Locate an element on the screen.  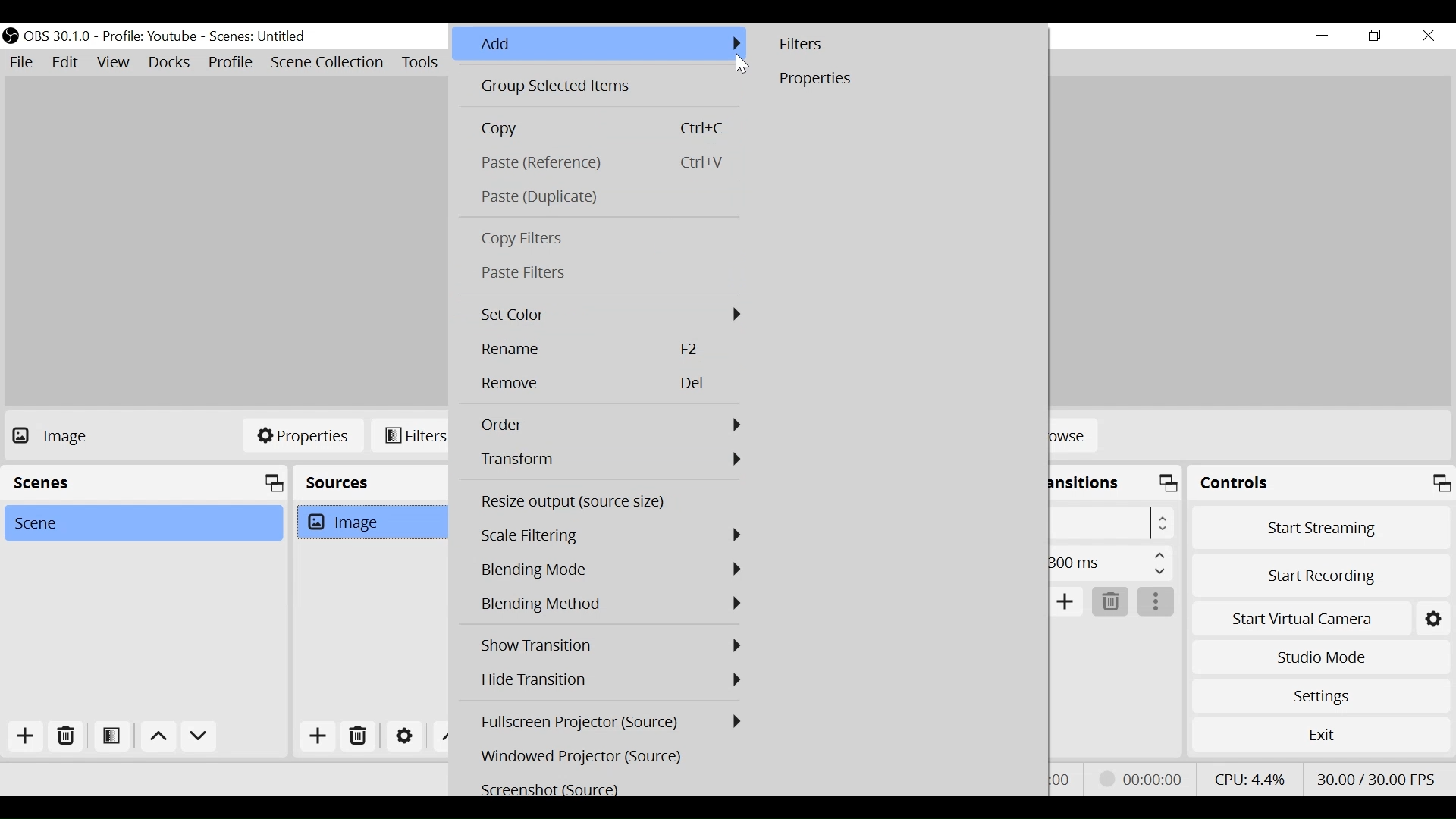
Paste(Reference) is located at coordinates (607, 162).